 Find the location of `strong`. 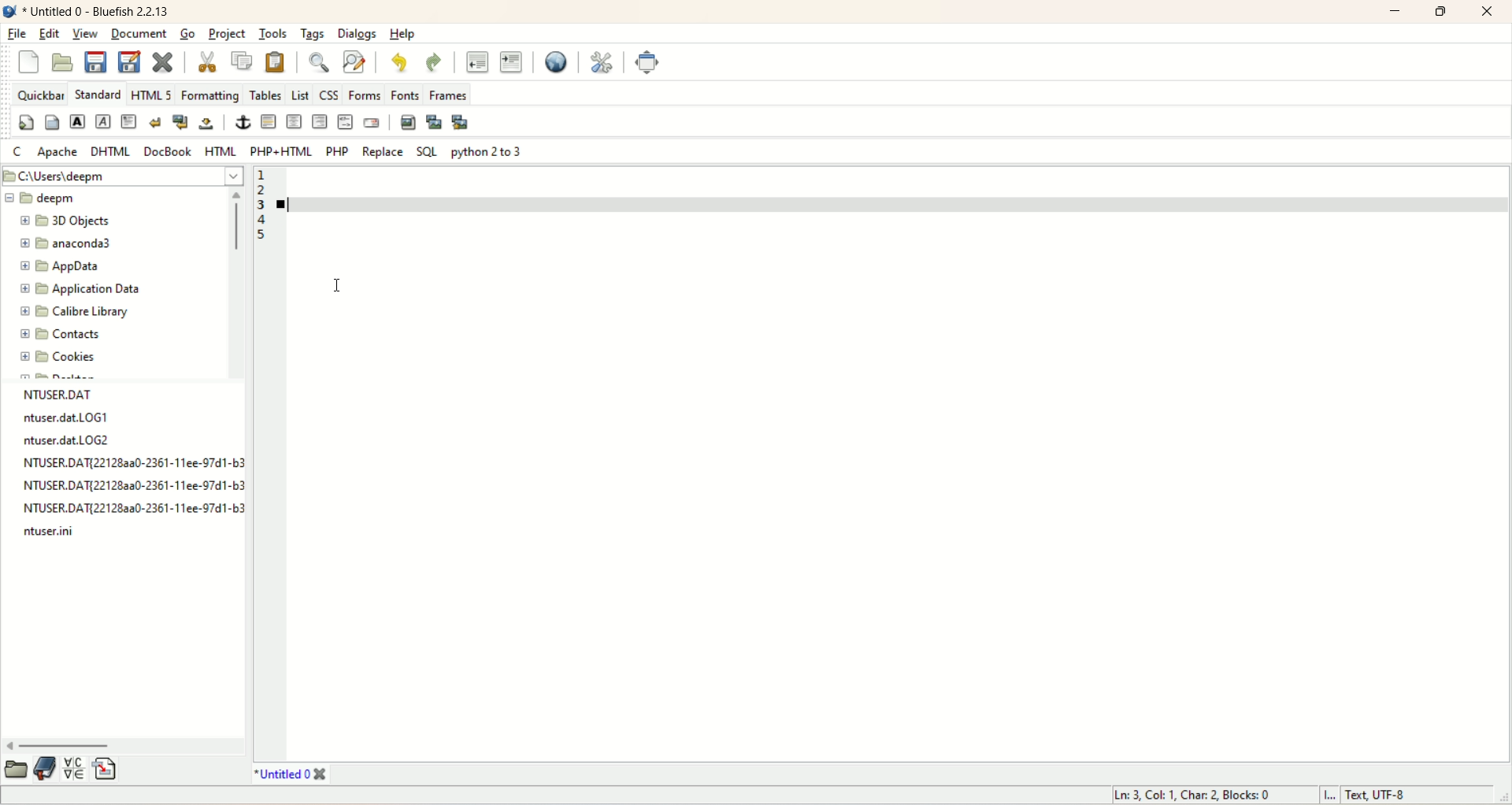

strong is located at coordinates (76, 121).